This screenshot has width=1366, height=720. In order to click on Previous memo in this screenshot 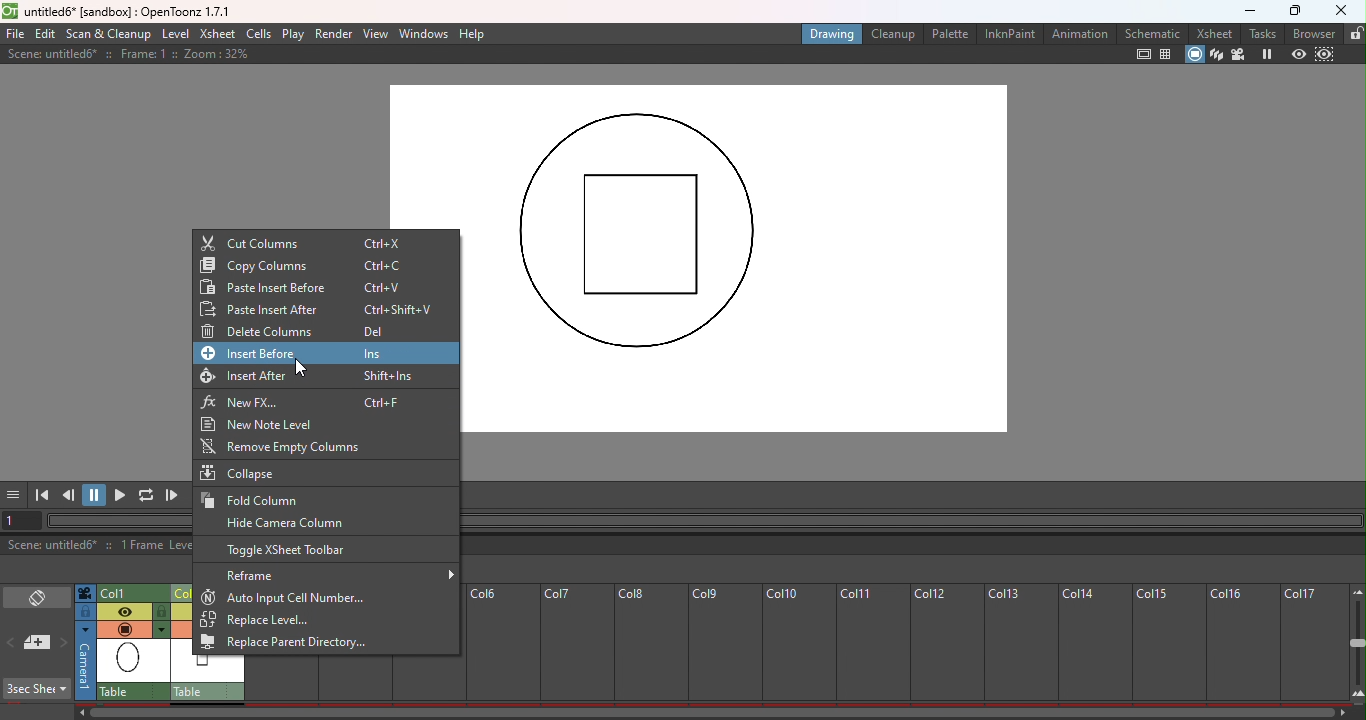, I will do `click(13, 644)`.